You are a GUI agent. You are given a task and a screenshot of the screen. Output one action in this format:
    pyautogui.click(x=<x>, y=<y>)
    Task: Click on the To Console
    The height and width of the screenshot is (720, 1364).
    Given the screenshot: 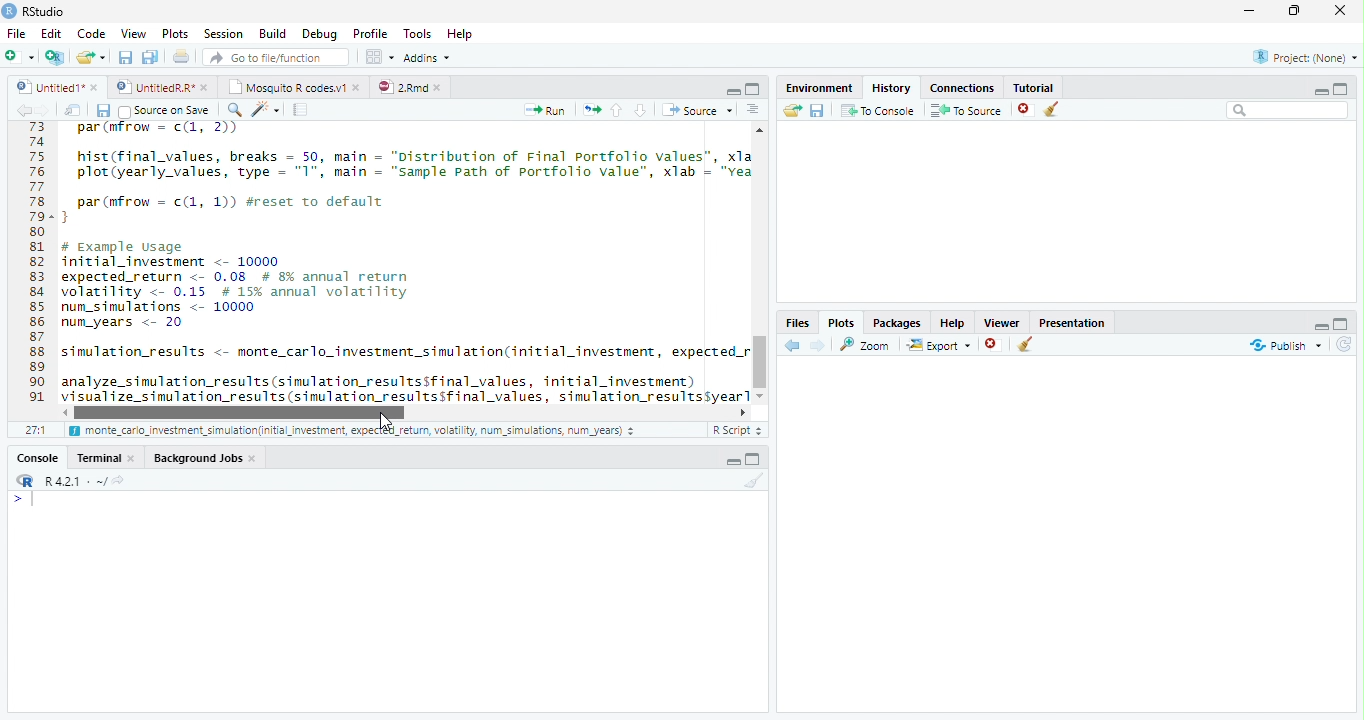 What is the action you would take?
    pyautogui.click(x=877, y=110)
    